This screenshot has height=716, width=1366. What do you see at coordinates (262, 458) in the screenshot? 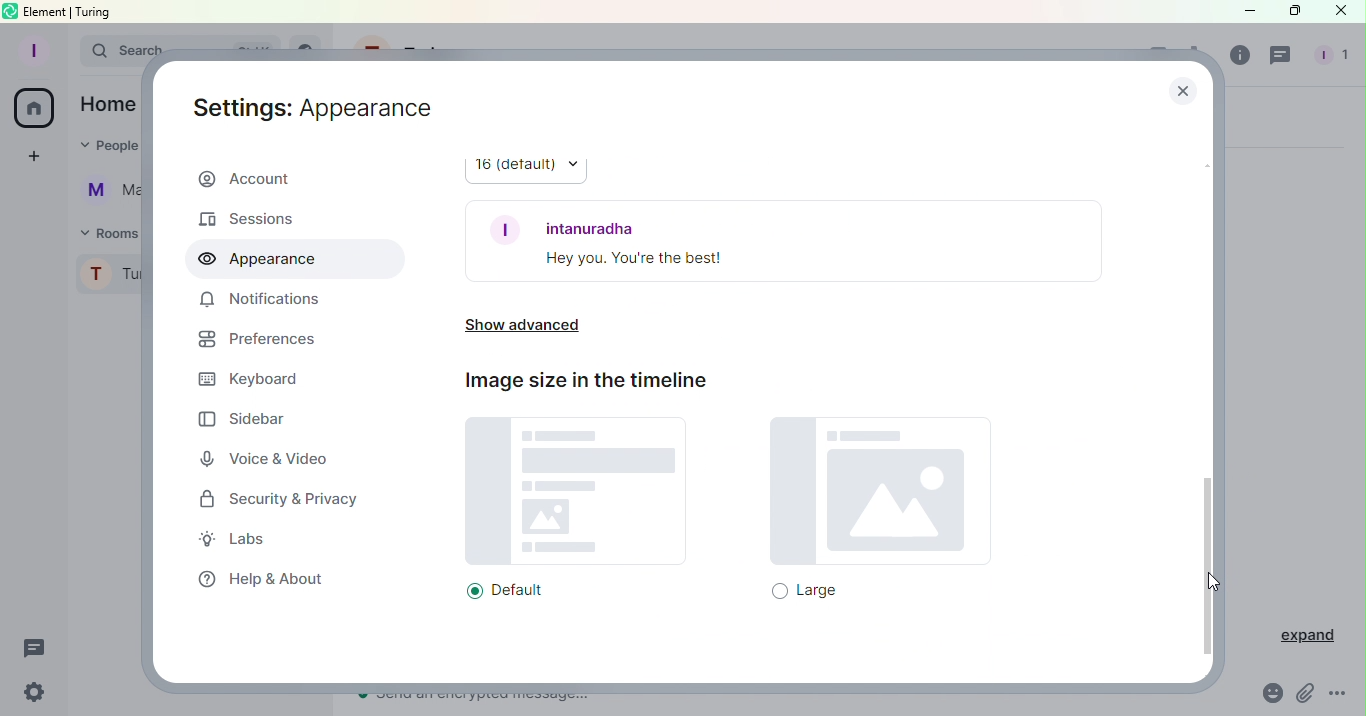
I see `Voice and Video` at bounding box center [262, 458].